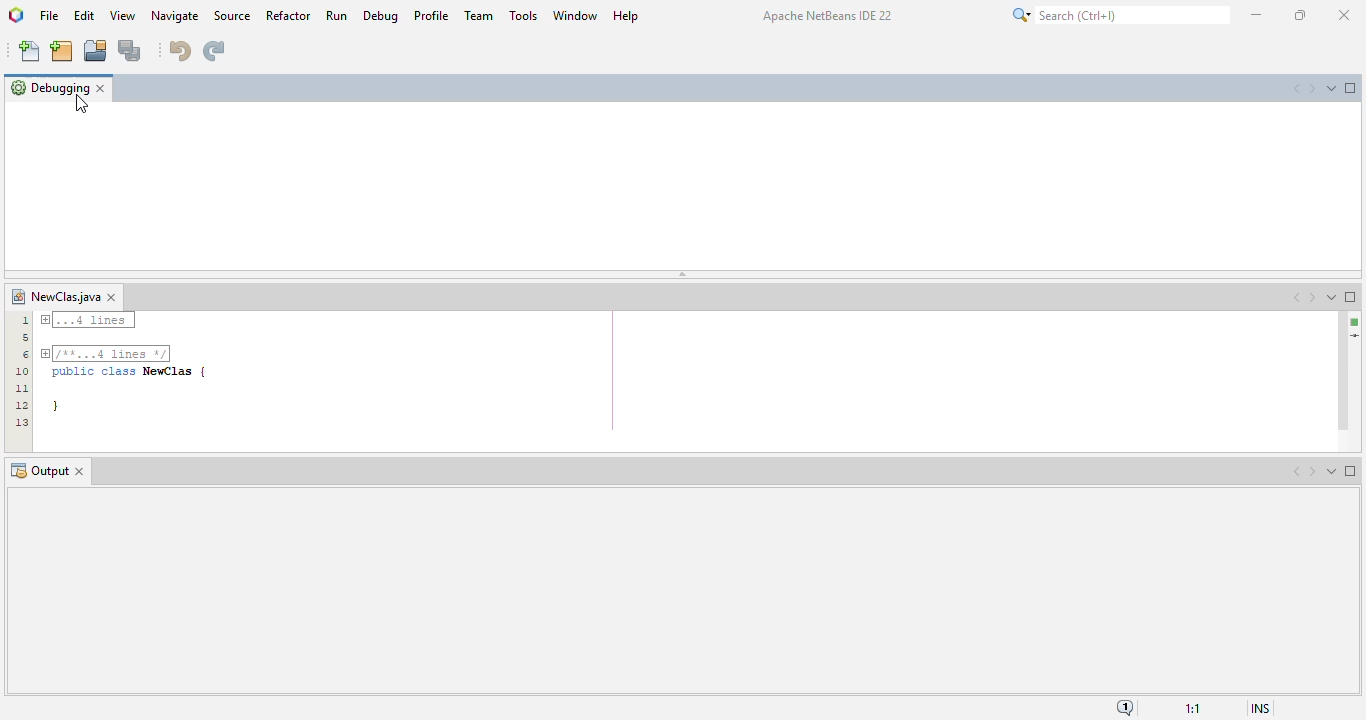  I want to click on output, so click(39, 471).